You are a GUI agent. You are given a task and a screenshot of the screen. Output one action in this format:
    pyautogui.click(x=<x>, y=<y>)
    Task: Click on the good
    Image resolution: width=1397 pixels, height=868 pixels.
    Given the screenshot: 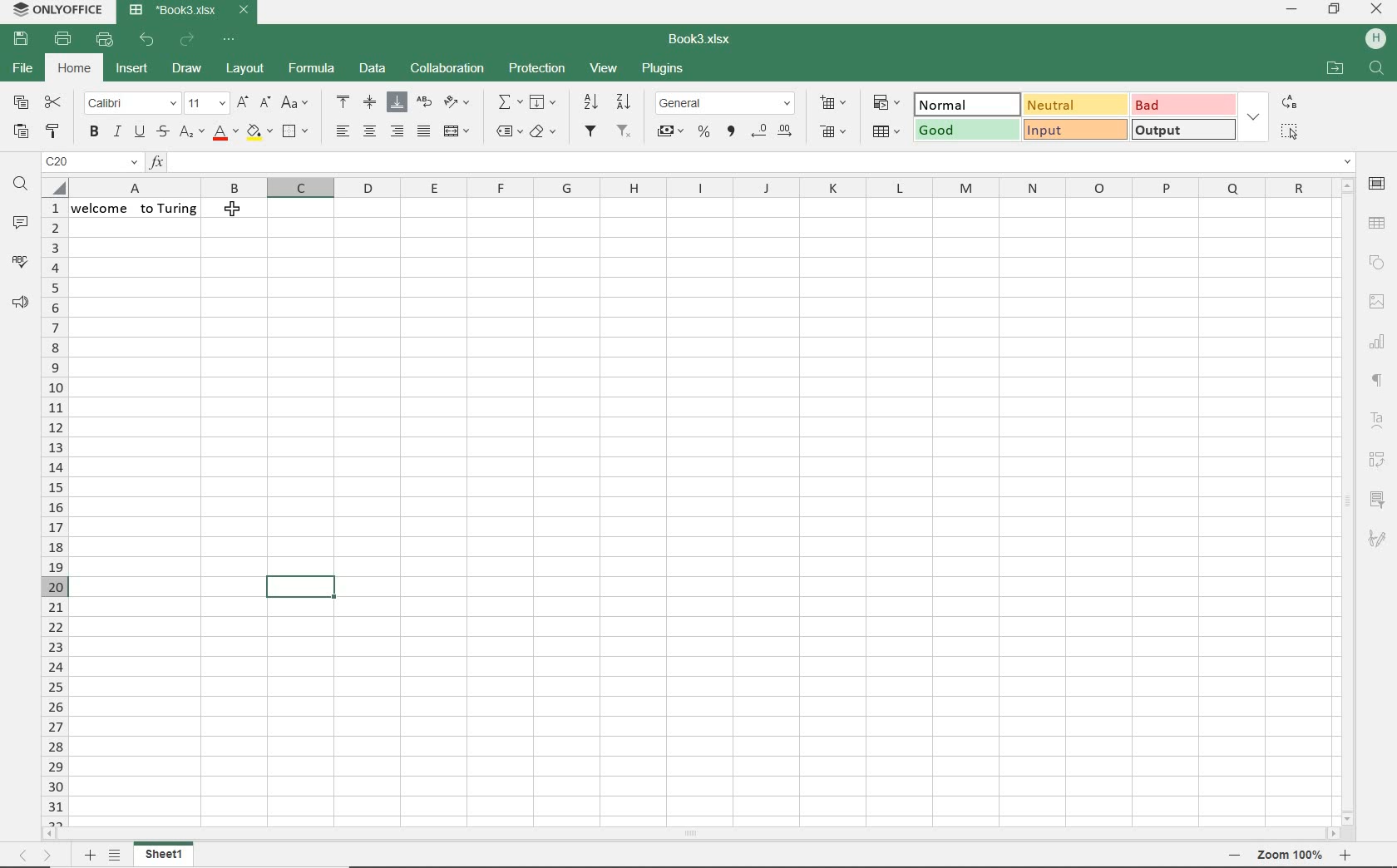 What is the action you would take?
    pyautogui.click(x=965, y=131)
    